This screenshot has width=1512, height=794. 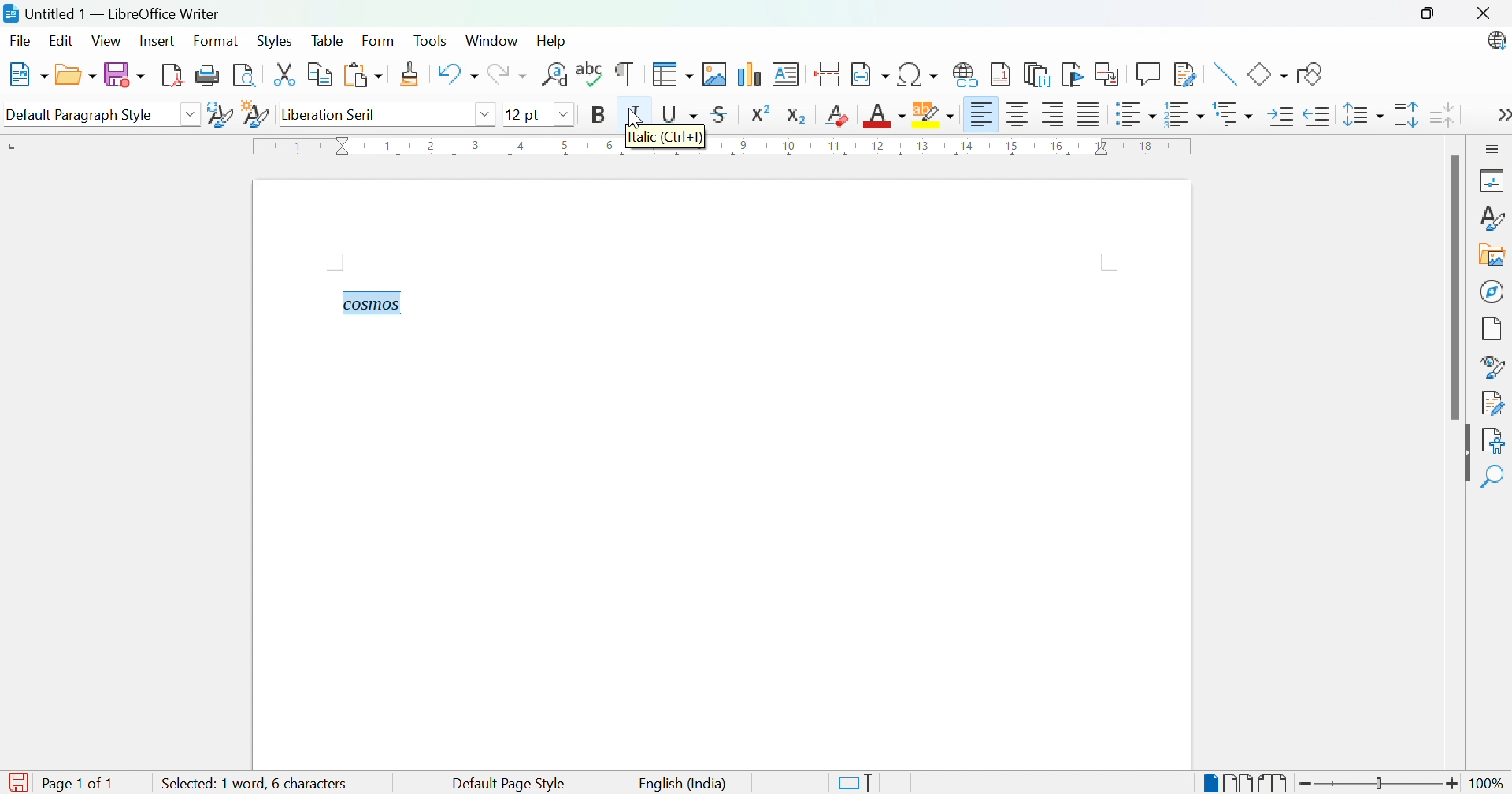 I want to click on Untitled 1 - LibreOffice Writer, so click(x=110, y=13).